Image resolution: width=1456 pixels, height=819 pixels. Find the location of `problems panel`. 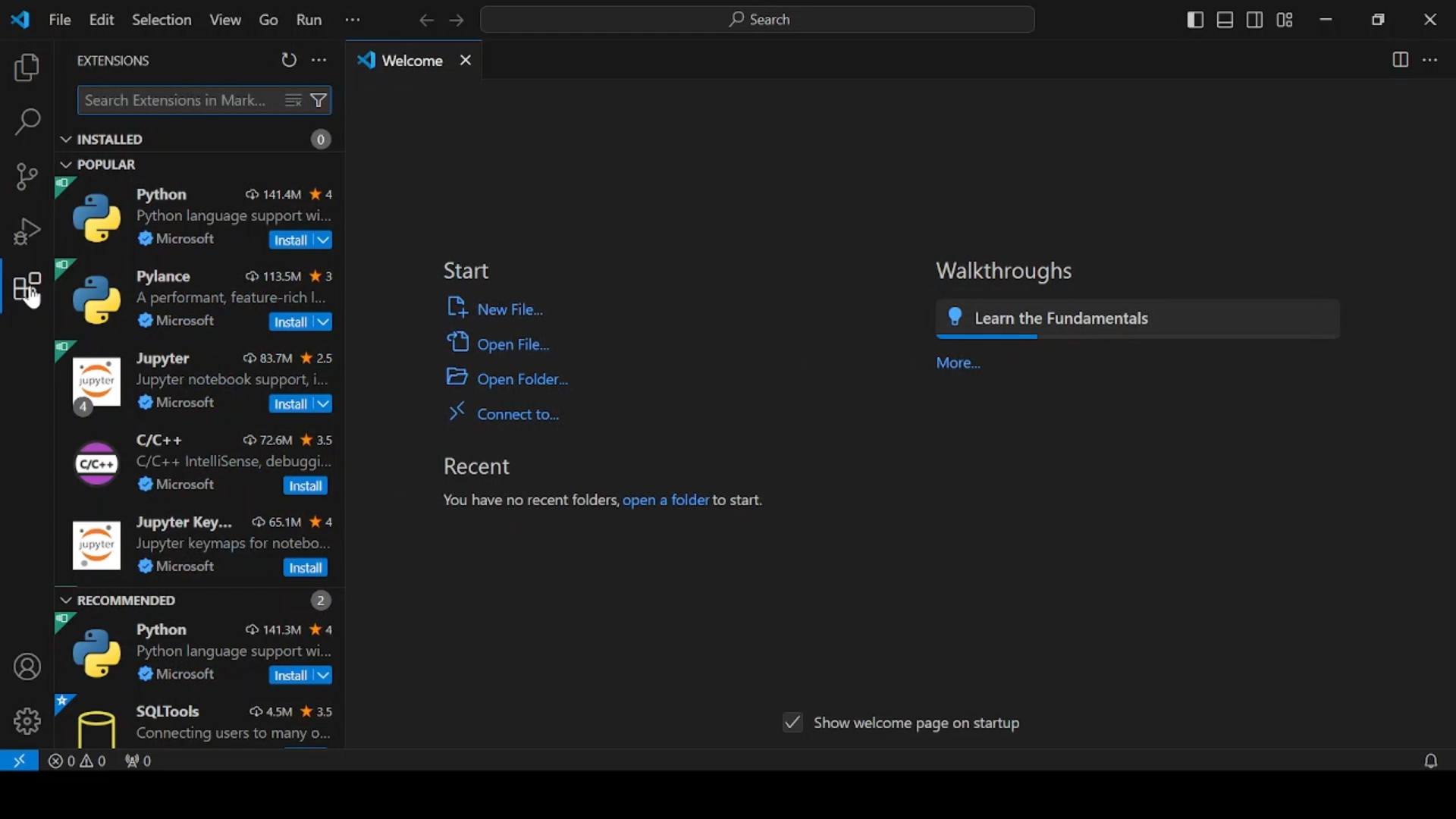

problems panel is located at coordinates (81, 763).